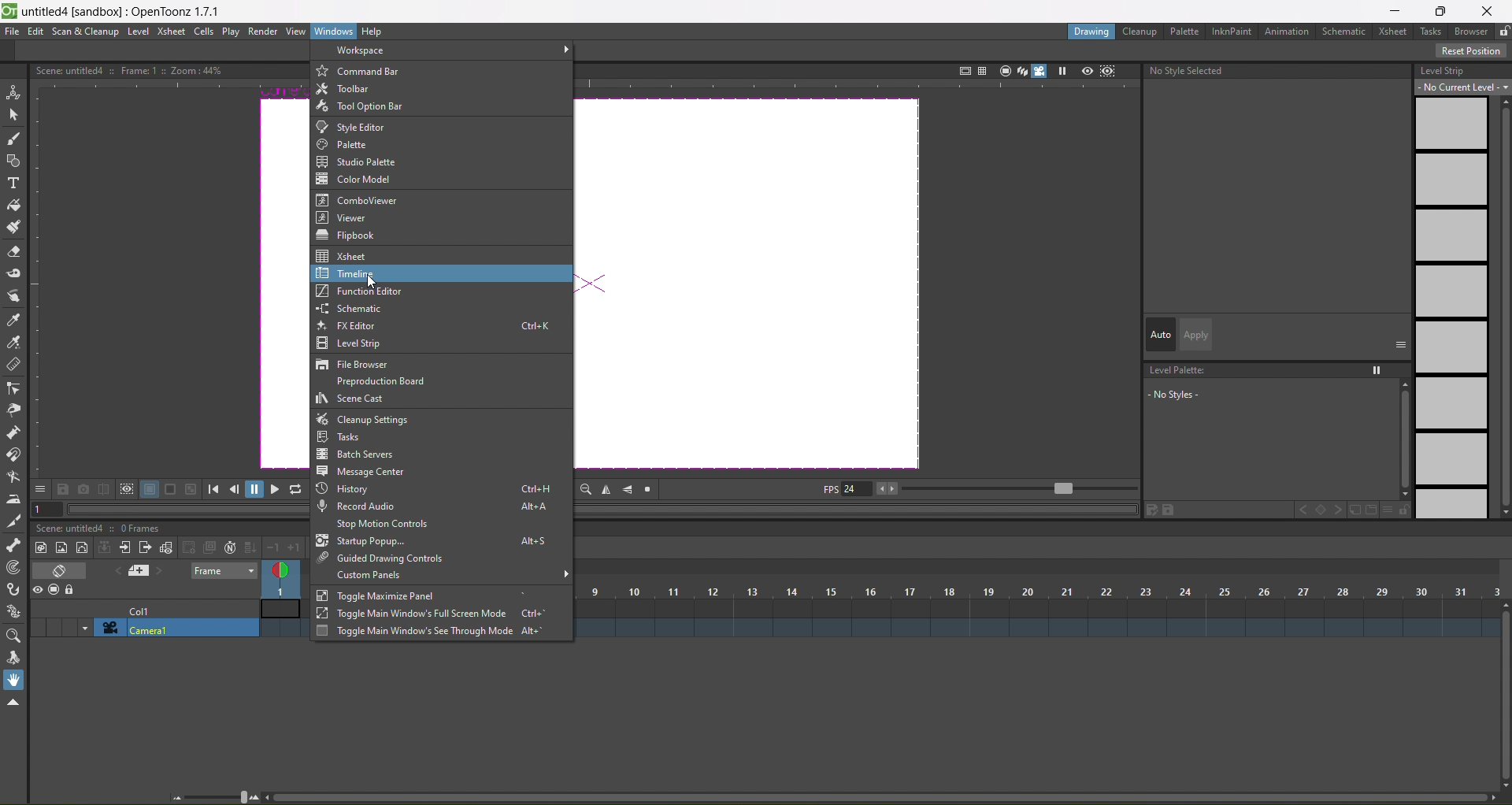 This screenshot has width=1512, height=805. I want to click on level strip, so click(1459, 288).